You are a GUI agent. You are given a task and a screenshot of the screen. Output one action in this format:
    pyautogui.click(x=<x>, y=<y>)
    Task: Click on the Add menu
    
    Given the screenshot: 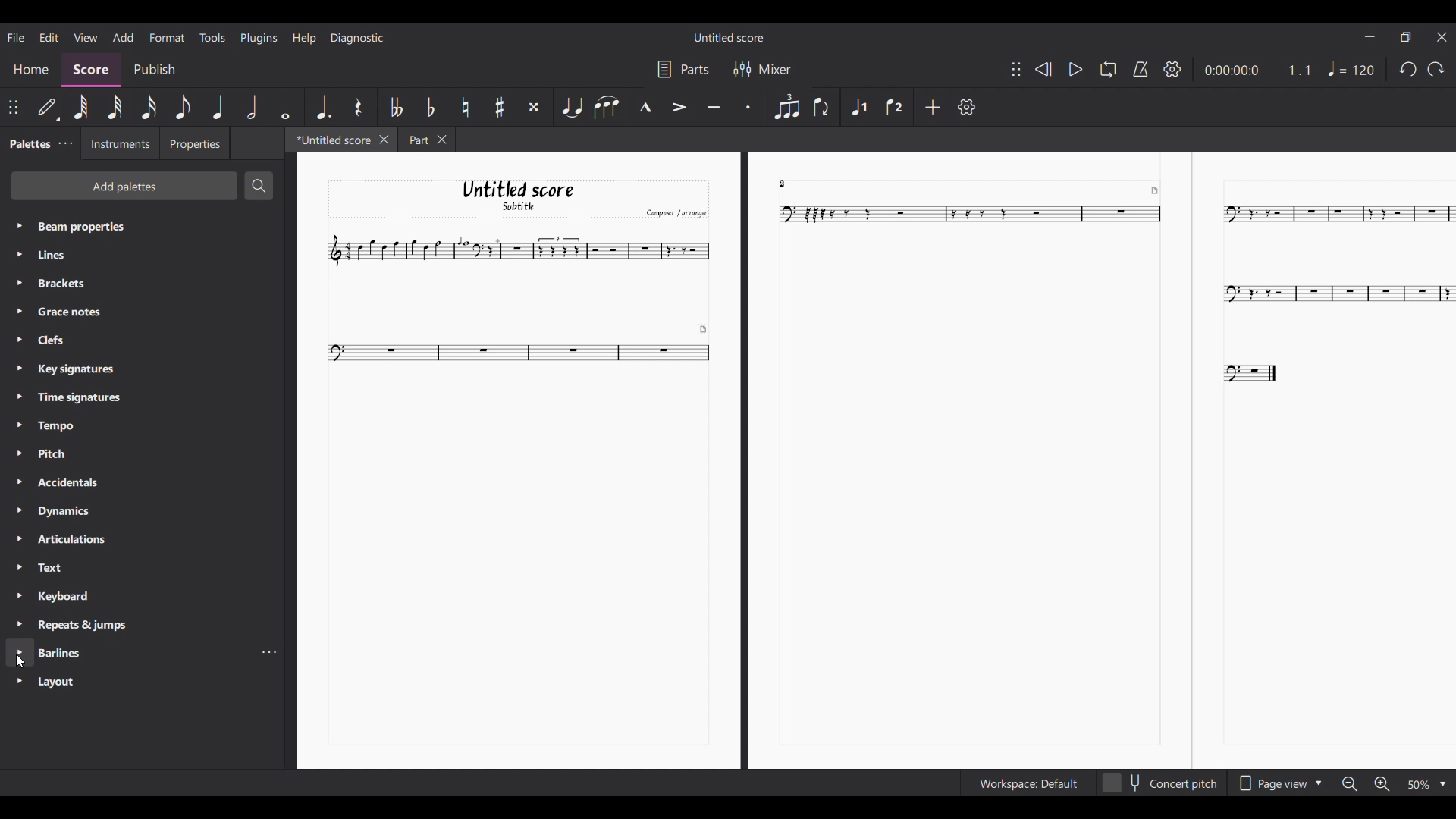 What is the action you would take?
    pyautogui.click(x=123, y=37)
    